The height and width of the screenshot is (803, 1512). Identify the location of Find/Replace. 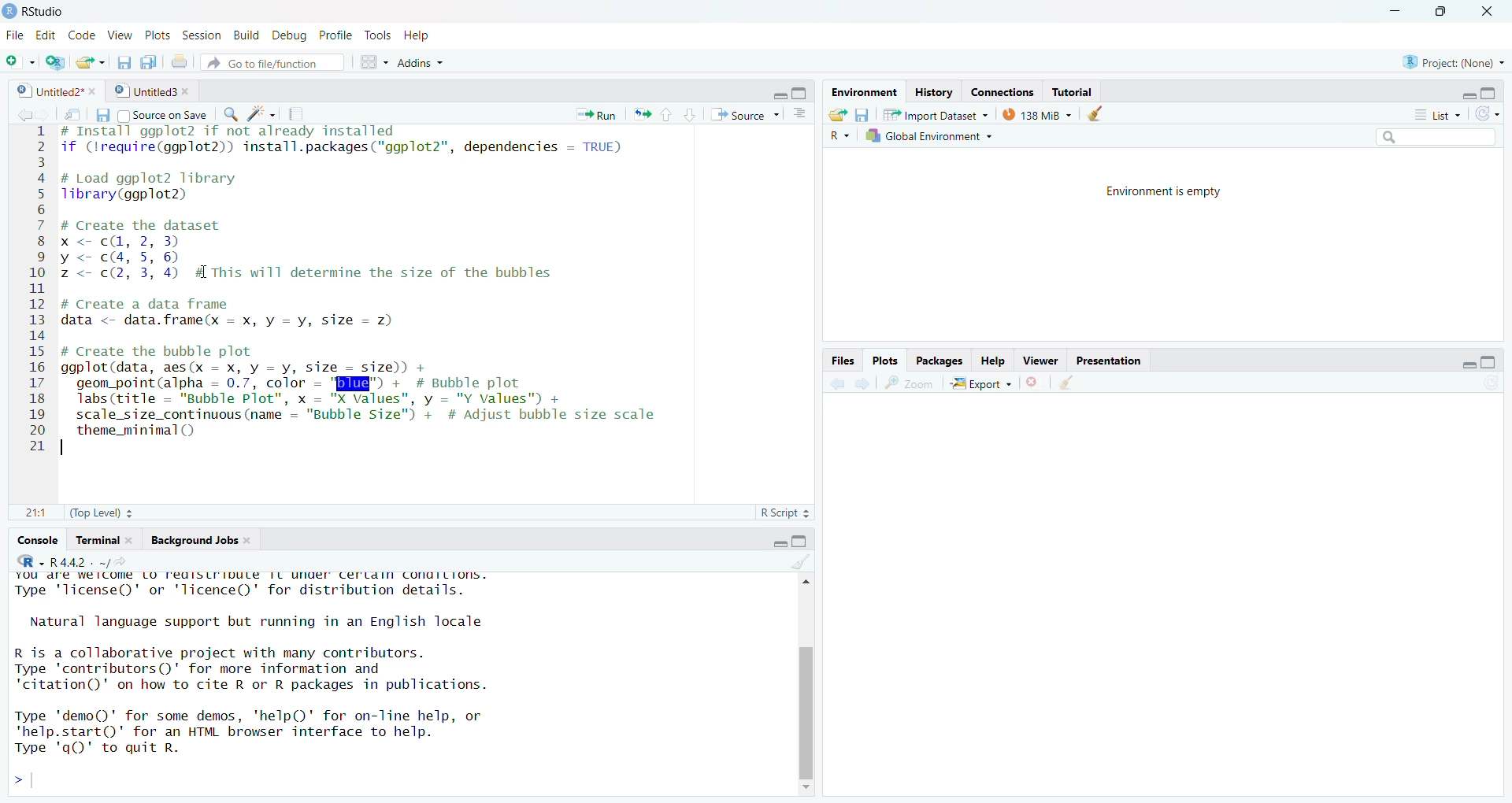
(230, 115).